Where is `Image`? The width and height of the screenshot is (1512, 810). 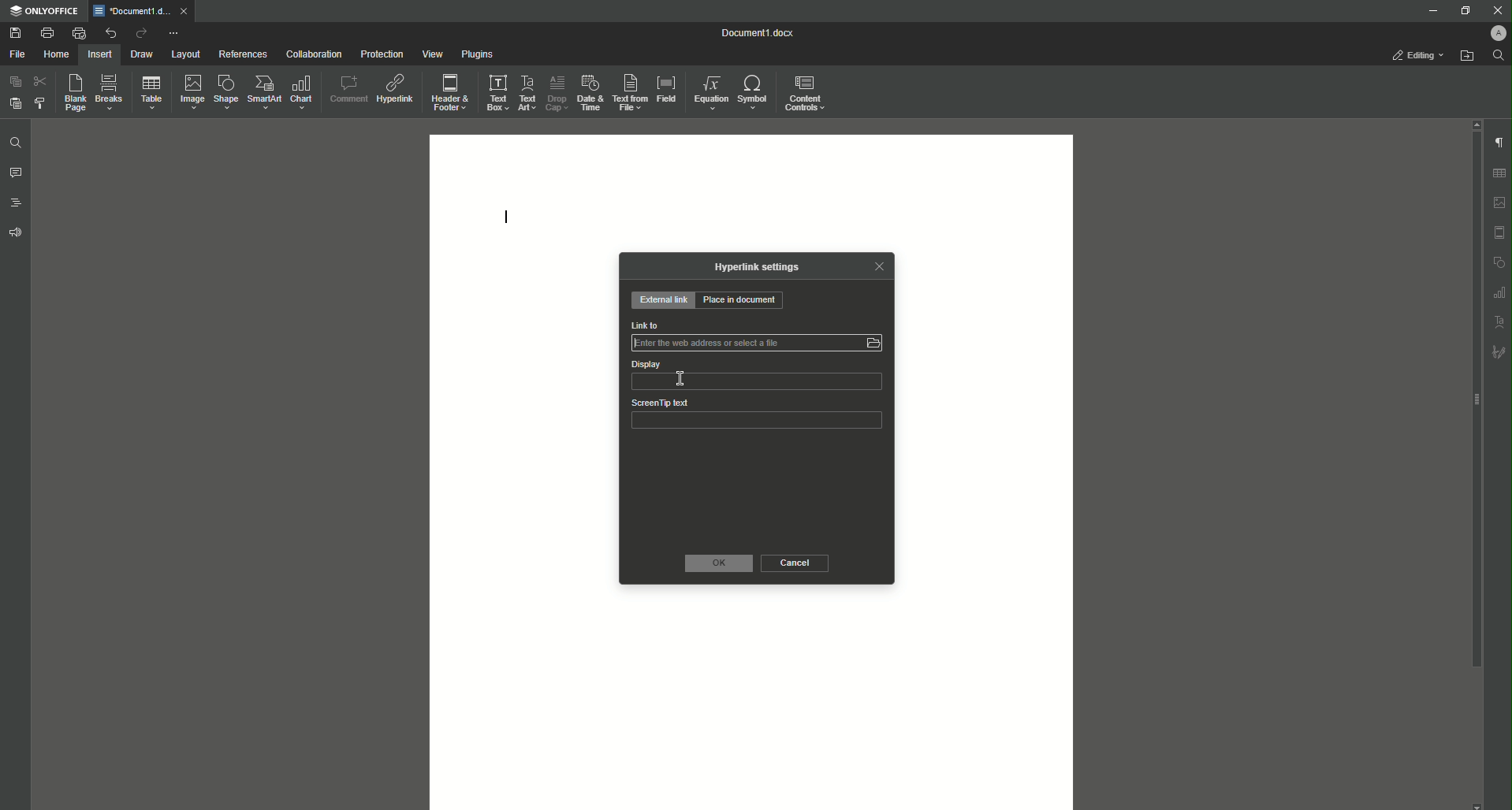 Image is located at coordinates (194, 92).